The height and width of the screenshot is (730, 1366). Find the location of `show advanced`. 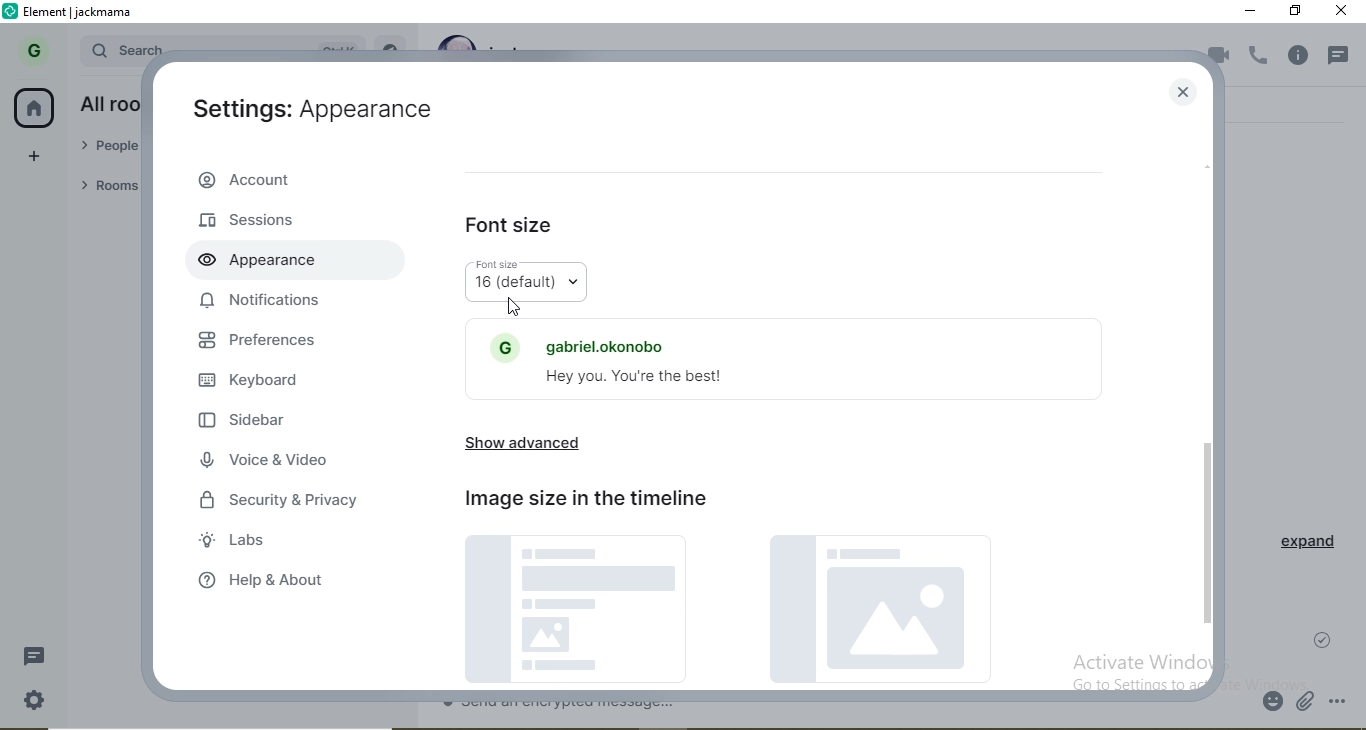

show advanced is located at coordinates (525, 446).